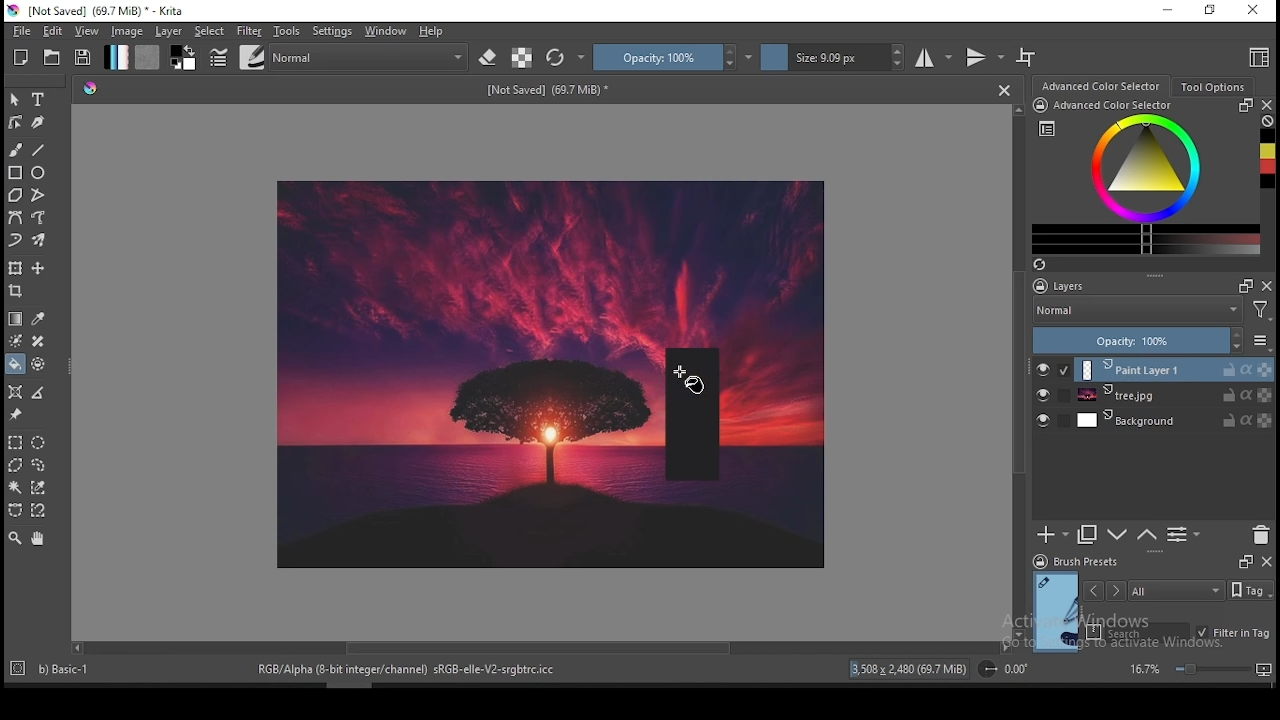 The width and height of the screenshot is (1280, 720). Describe the element at coordinates (16, 239) in the screenshot. I see `dynamic brush tool` at that location.